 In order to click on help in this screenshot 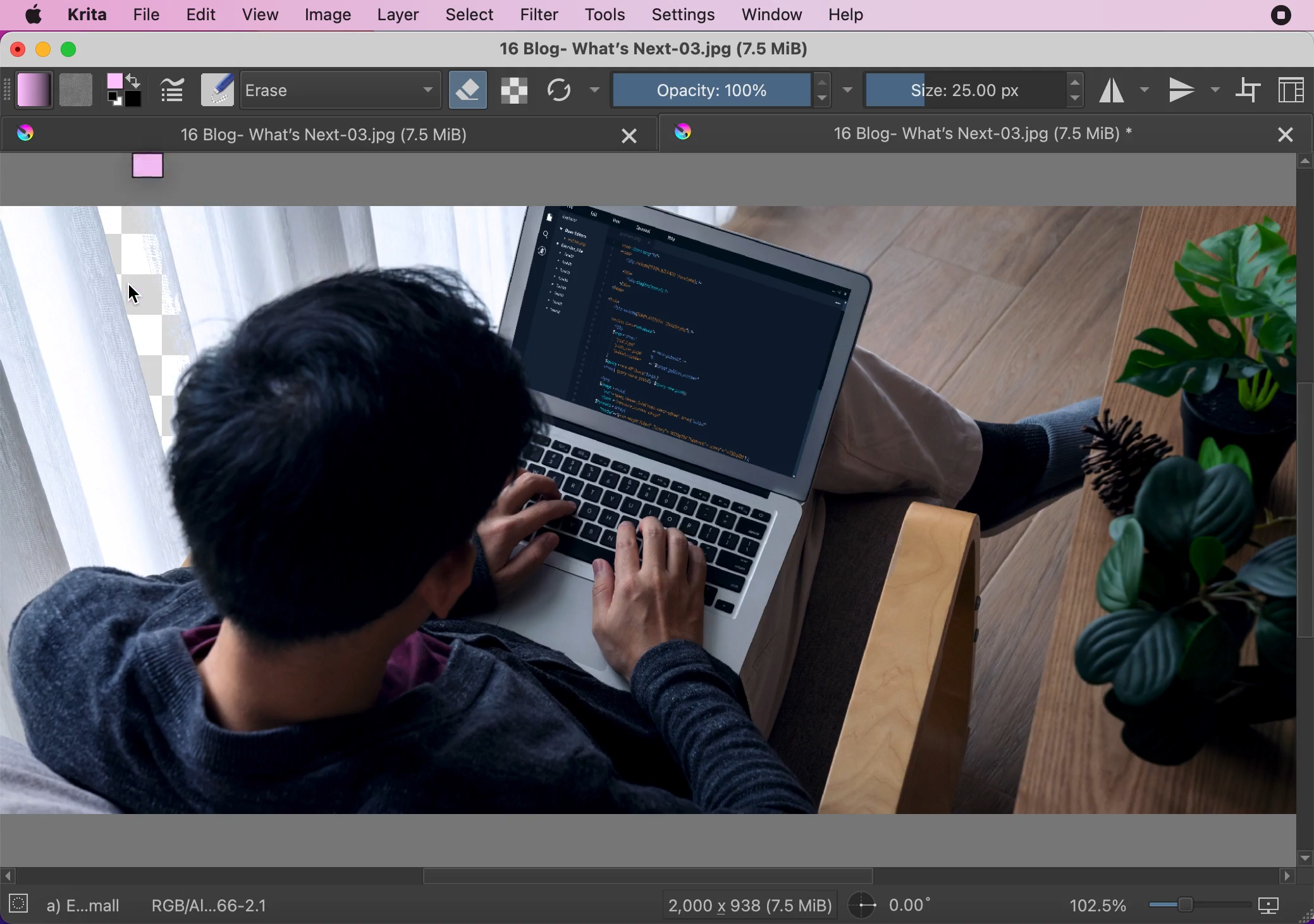, I will do `click(847, 16)`.